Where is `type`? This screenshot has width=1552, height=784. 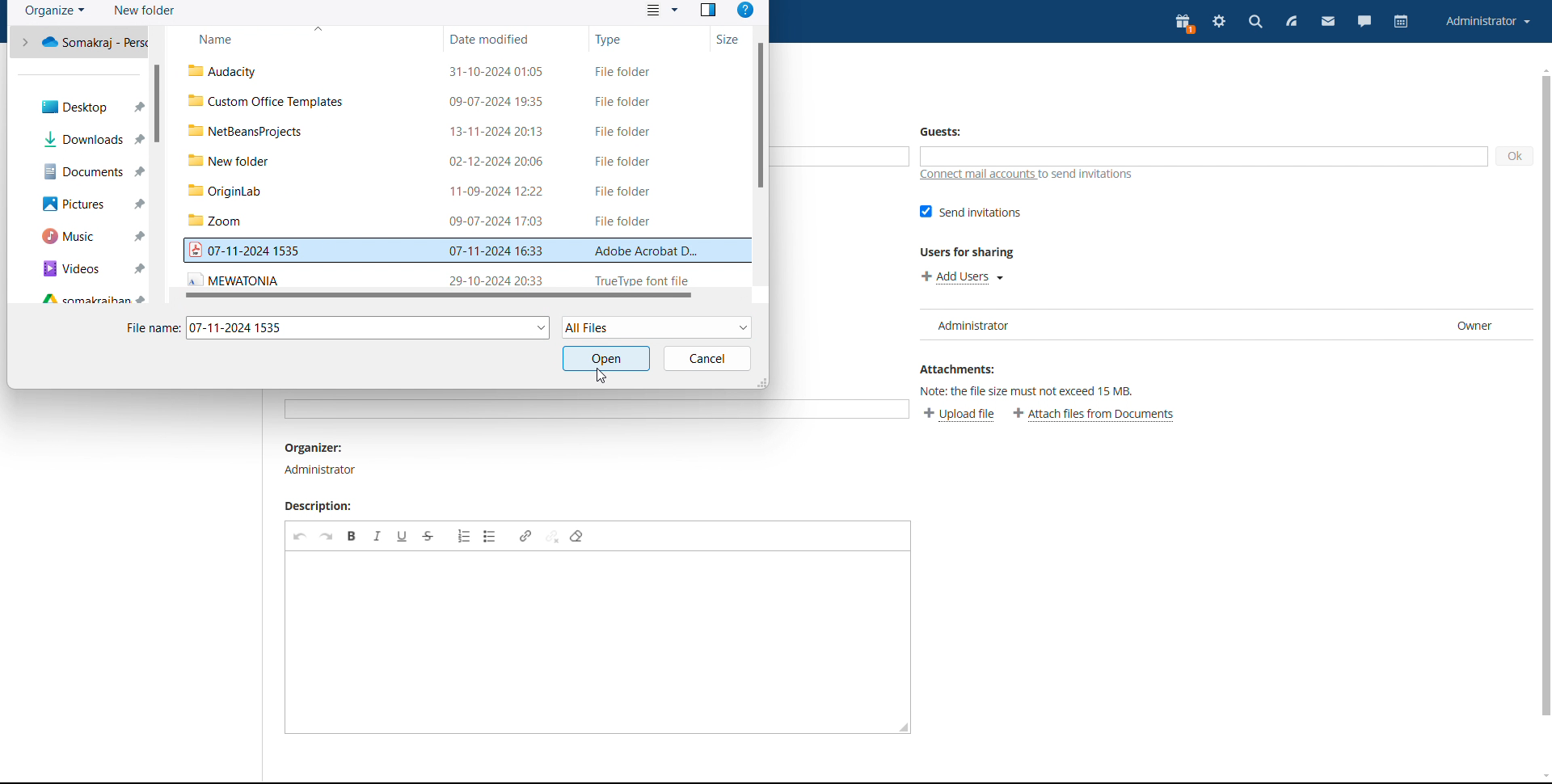 type is located at coordinates (647, 37).